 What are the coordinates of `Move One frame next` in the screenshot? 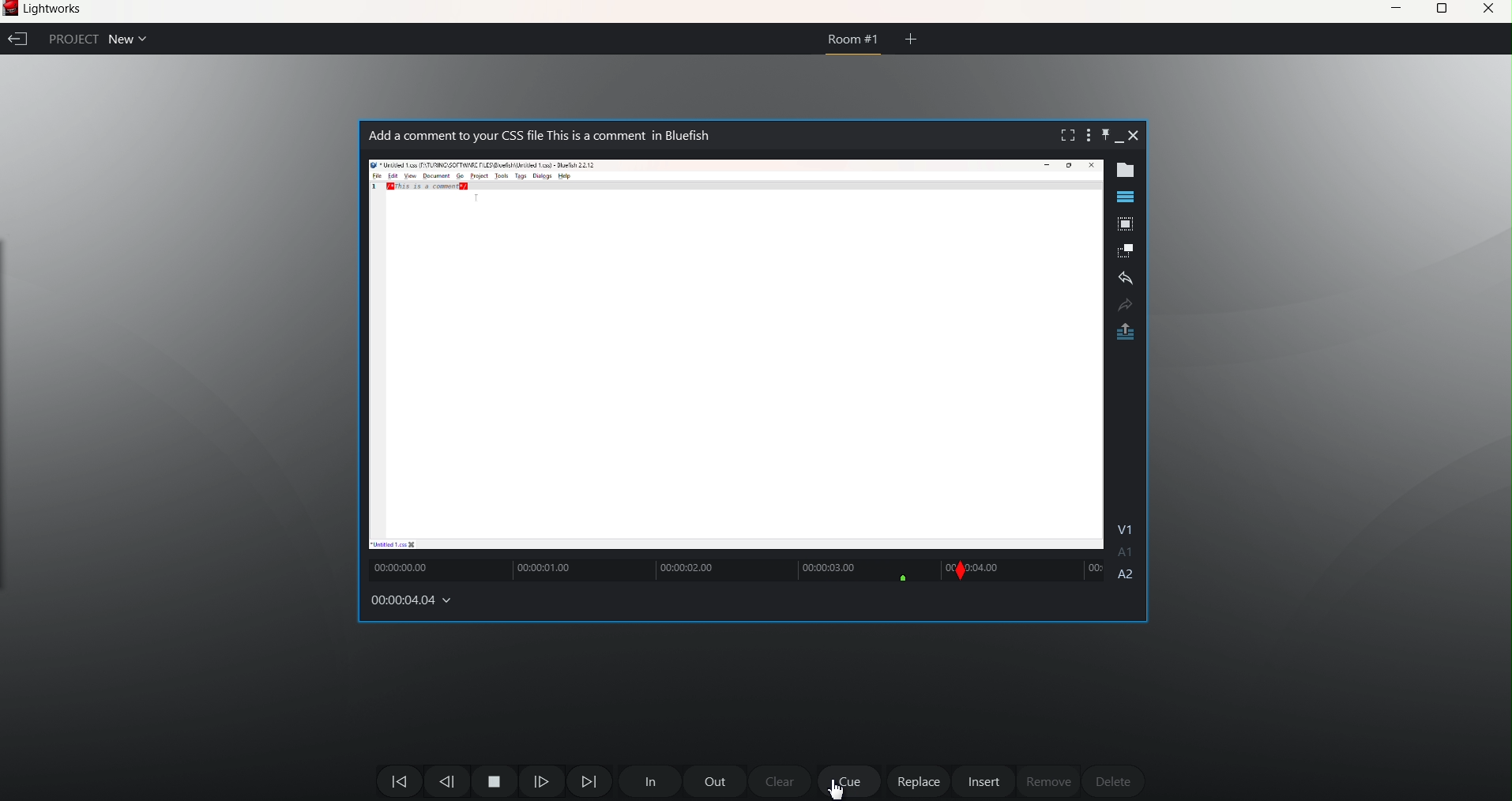 It's located at (543, 784).